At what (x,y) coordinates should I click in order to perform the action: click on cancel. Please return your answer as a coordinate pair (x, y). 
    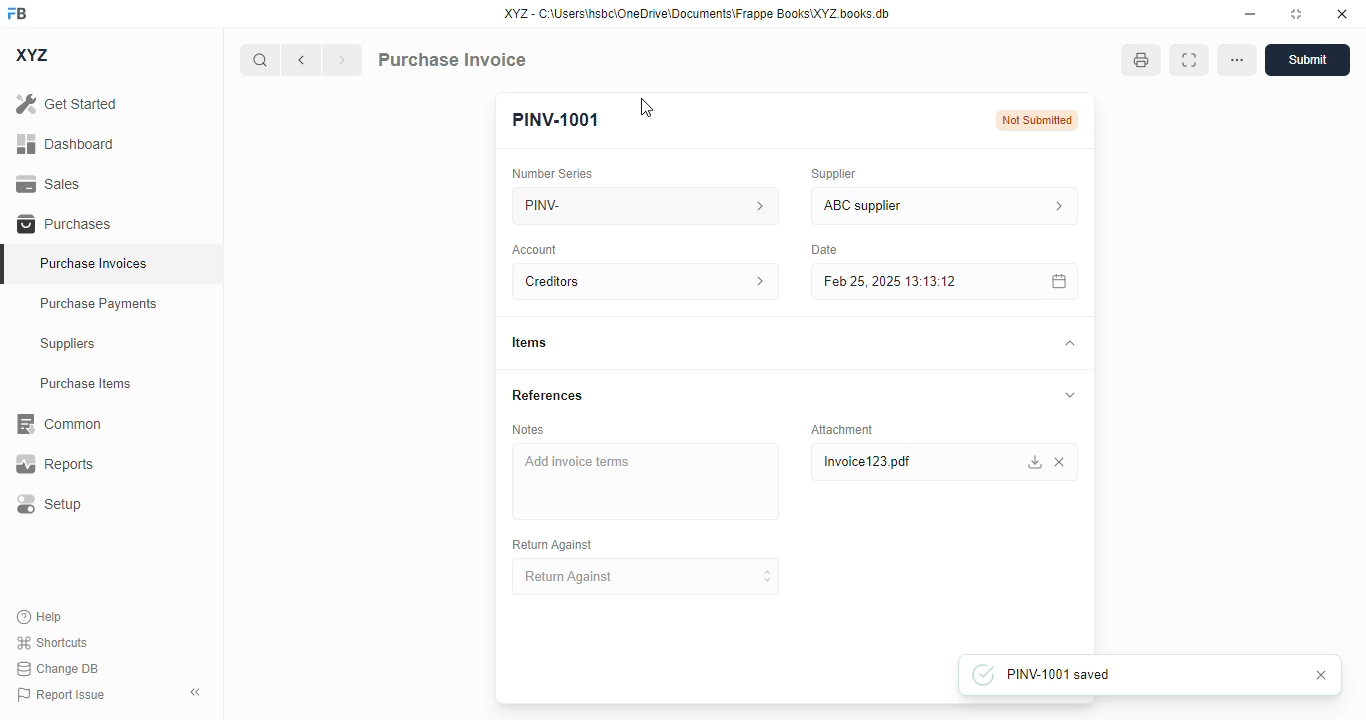
    Looking at the image, I should click on (1324, 675).